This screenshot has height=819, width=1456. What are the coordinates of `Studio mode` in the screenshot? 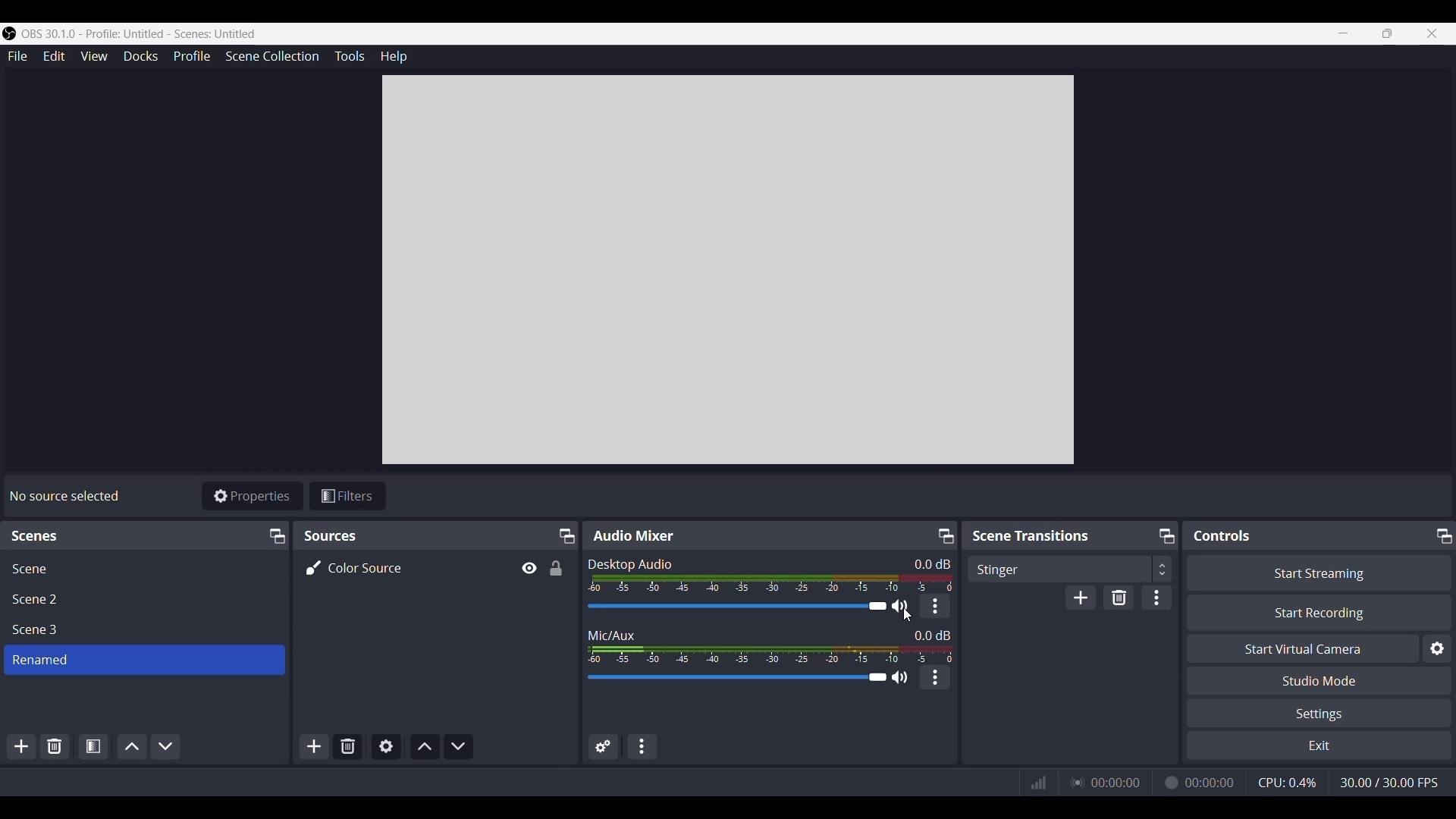 It's located at (1318, 681).